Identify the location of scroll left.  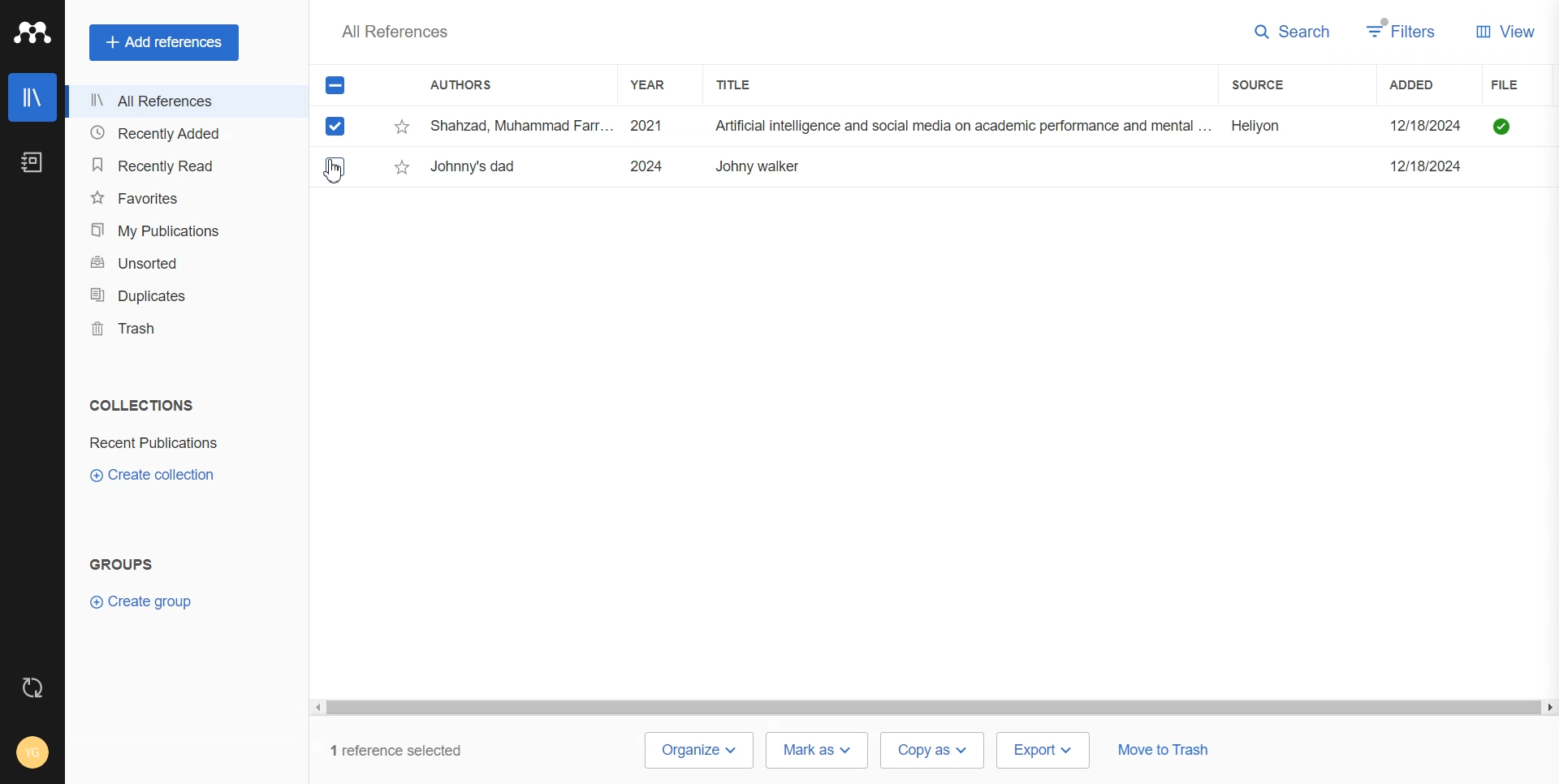
(317, 708).